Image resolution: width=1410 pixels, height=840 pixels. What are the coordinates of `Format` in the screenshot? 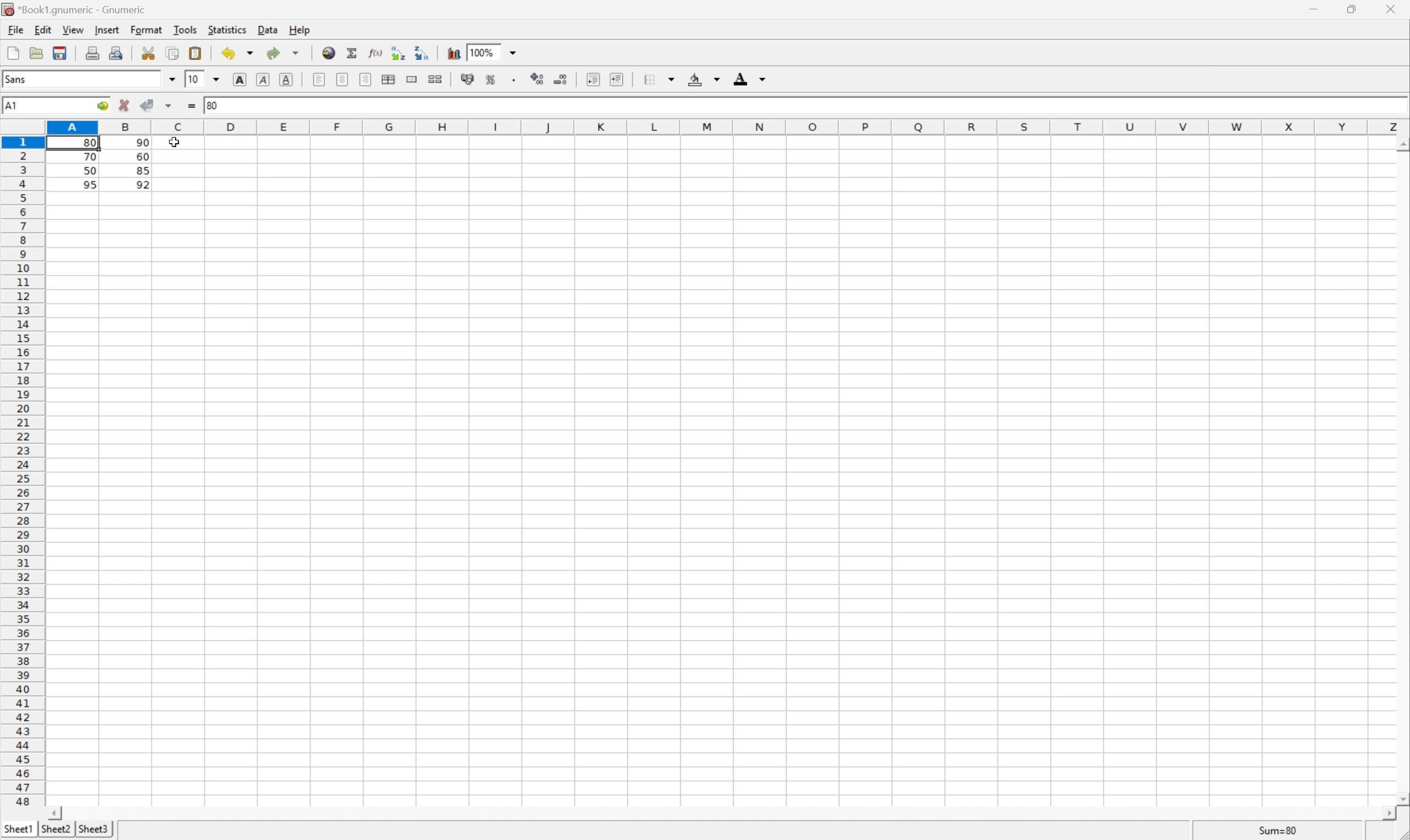 It's located at (146, 28).